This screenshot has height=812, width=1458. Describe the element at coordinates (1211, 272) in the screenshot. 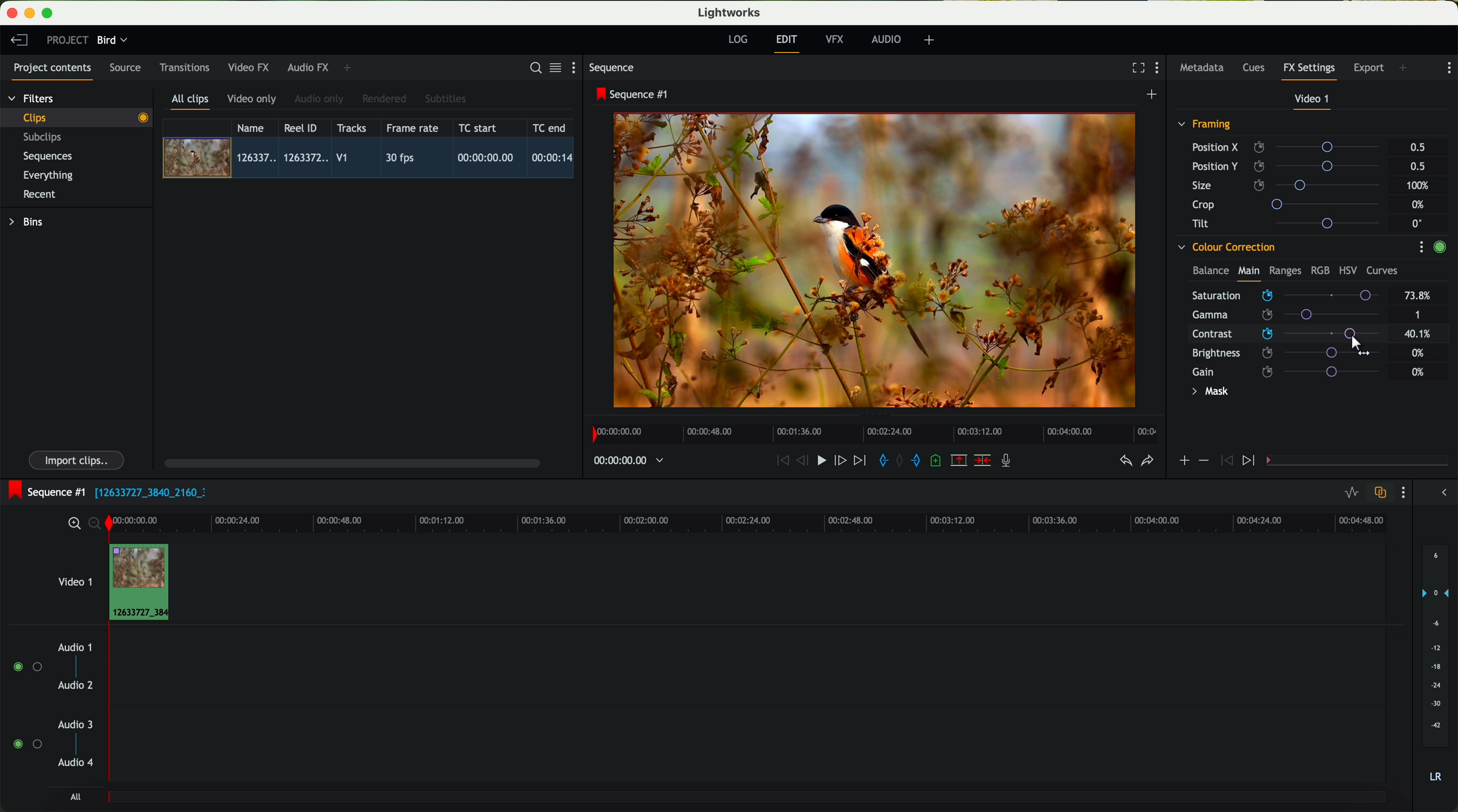

I see `balance` at that location.